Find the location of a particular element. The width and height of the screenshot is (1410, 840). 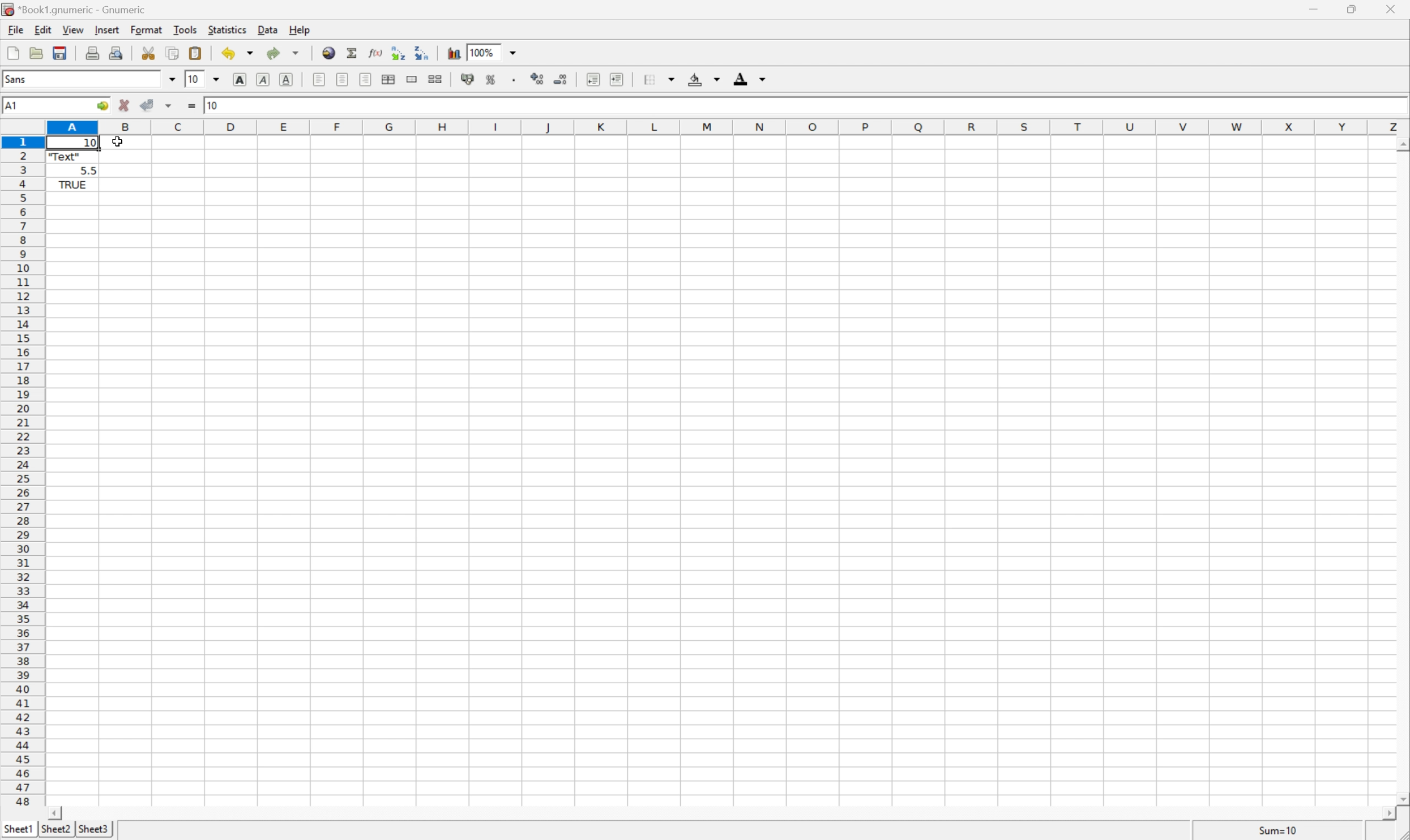

Cut clipboard is located at coordinates (148, 53).